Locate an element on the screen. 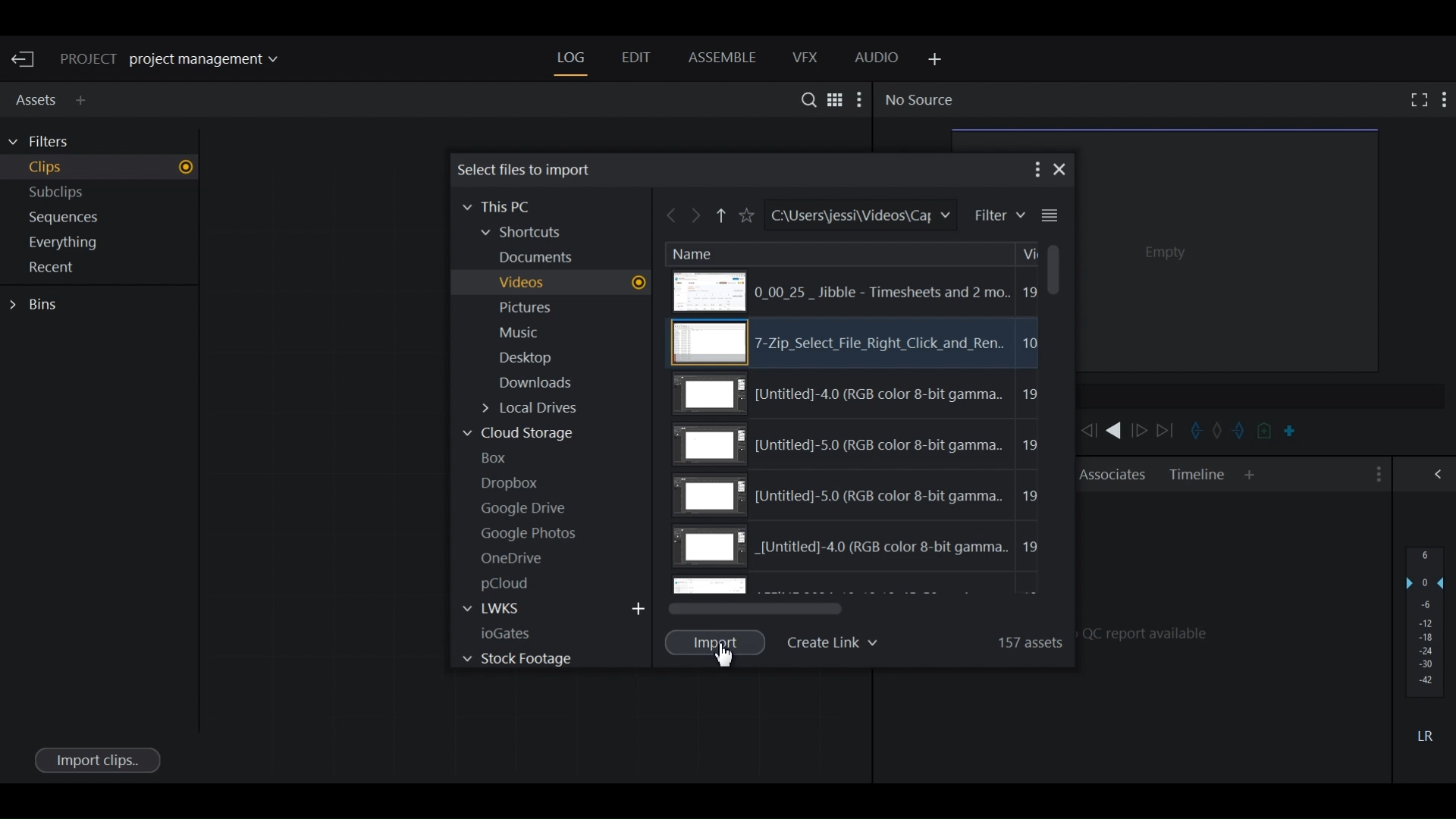 Image resolution: width=1456 pixels, height=819 pixels. Toggle between list and tile view is located at coordinates (1050, 216).